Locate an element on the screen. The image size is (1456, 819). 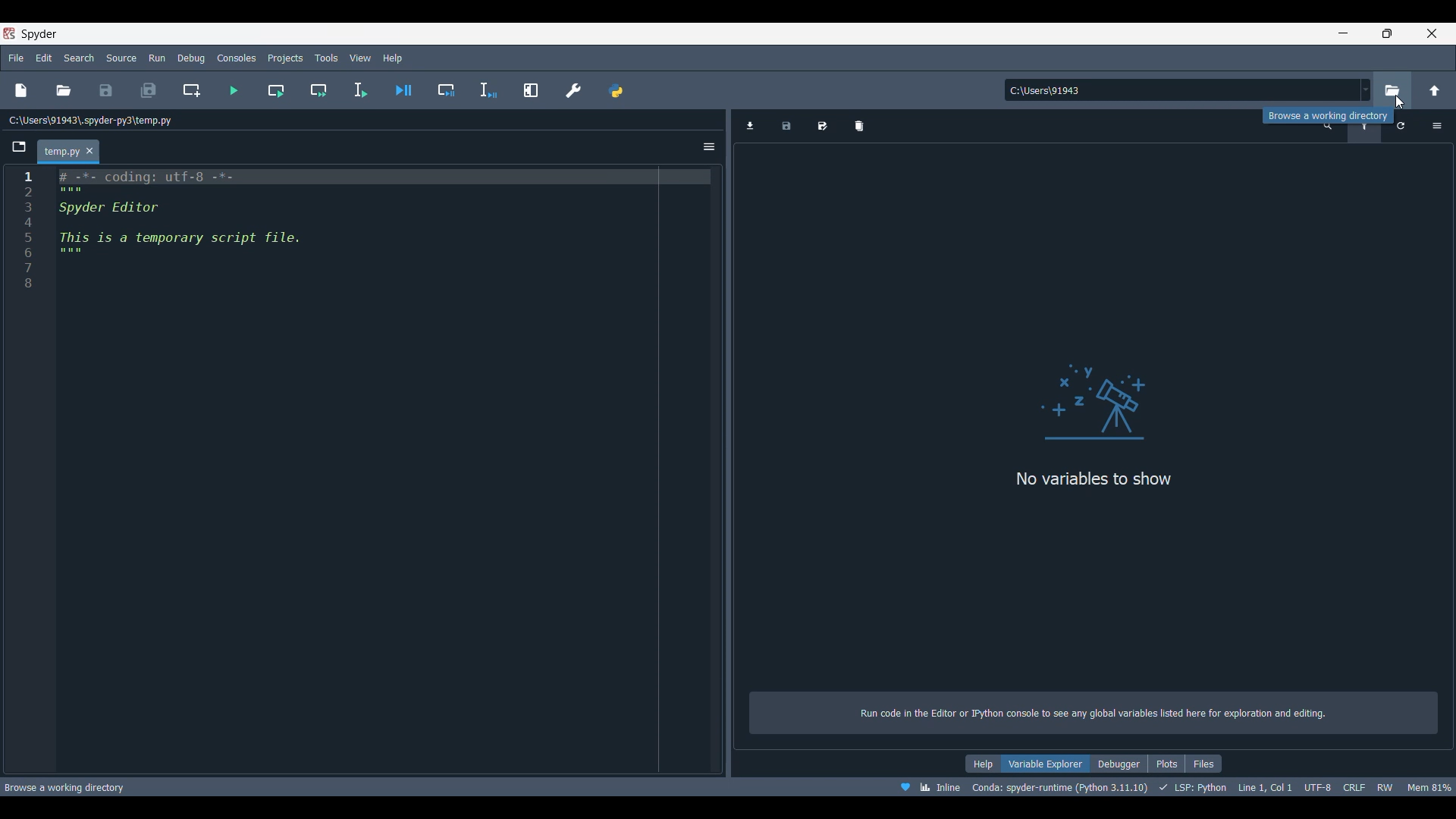
Browse tabs is located at coordinates (19, 147).